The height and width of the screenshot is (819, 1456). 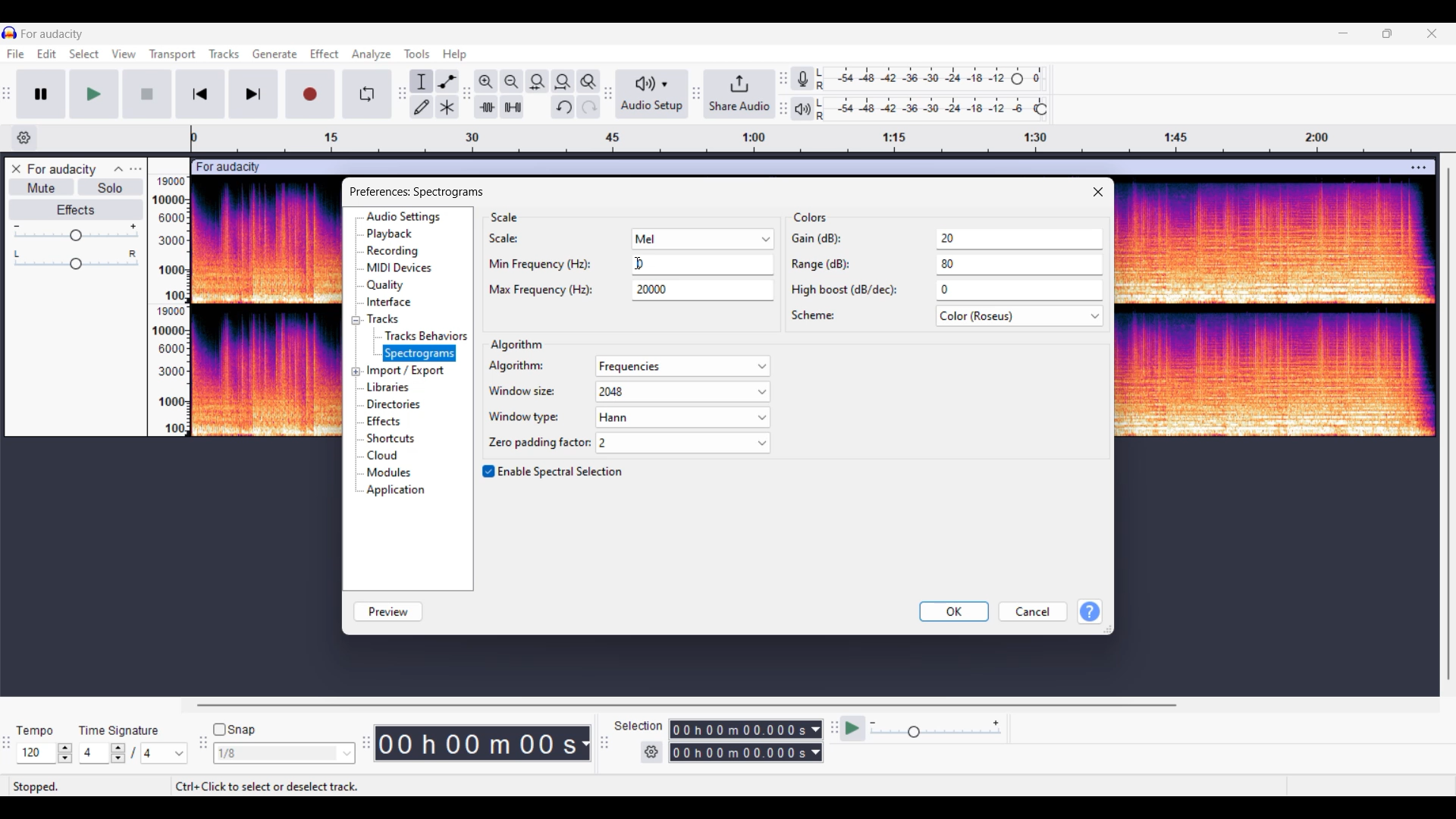 What do you see at coordinates (119, 731) in the screenshot?
I see `Indicates time signature settings ` at bounding box center [119, 731].